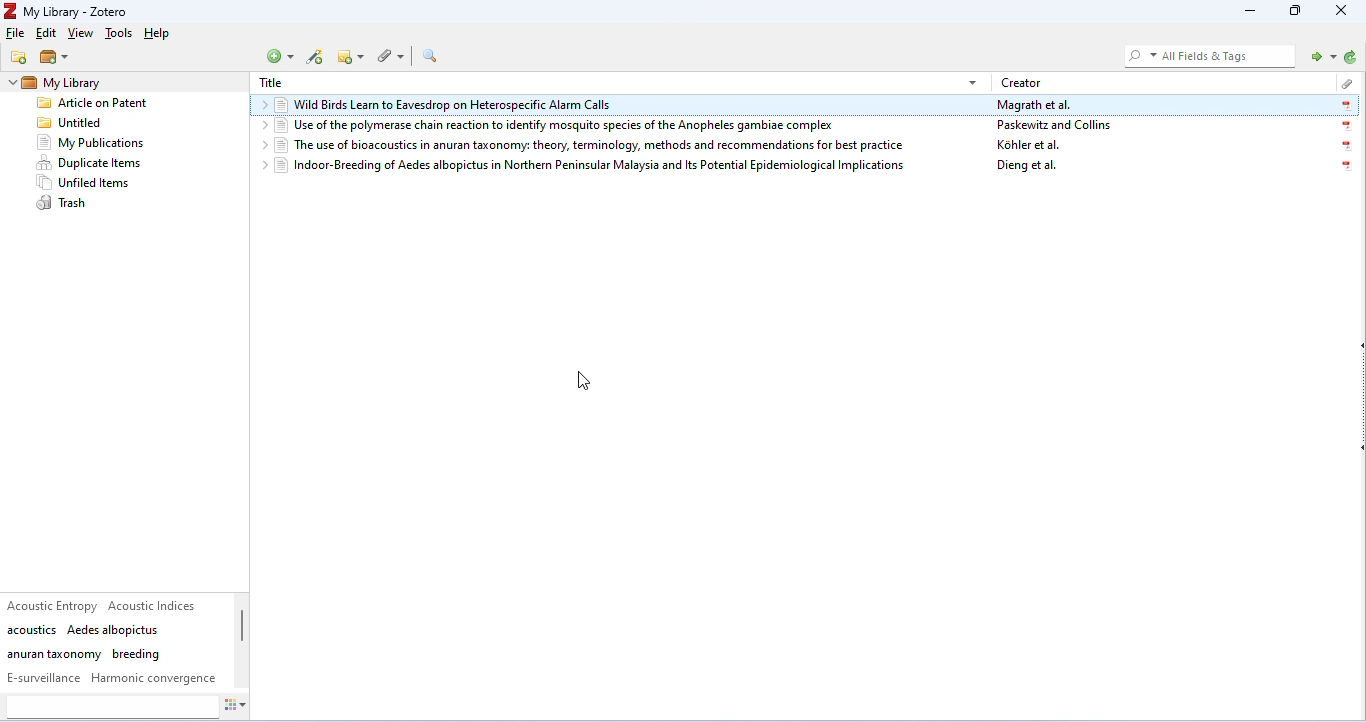 The width and height of the screenshot is (1366, 722). What do you see at coordinates (16, 33) in the screenshot?
I see `file` at bounding box center [16, 33].